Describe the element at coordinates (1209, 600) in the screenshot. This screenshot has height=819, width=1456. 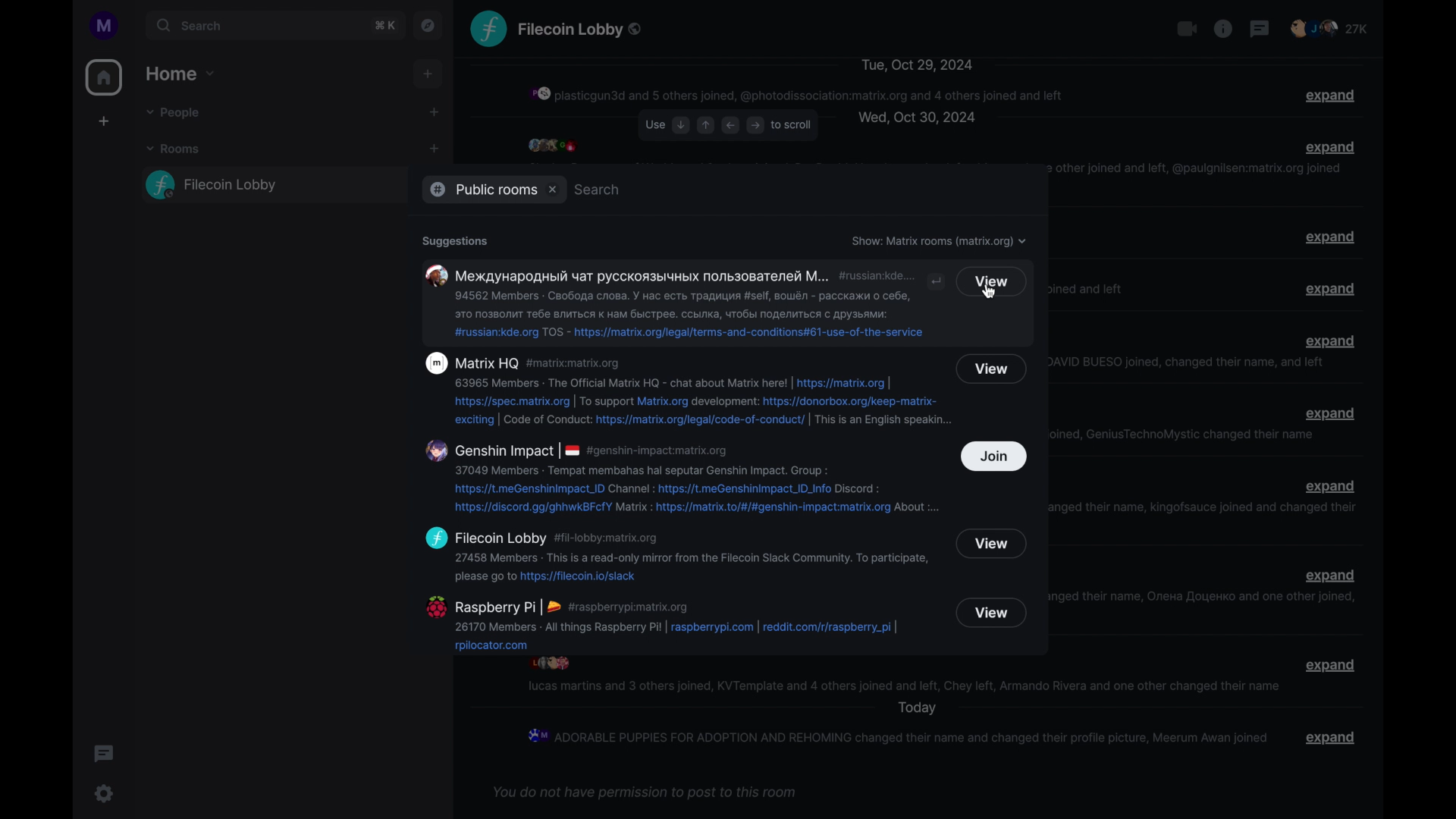
I see `McCleary and 8 others joined and left, @lisrocks:matrix.org joined and joined and left, Chey changed their name, Oneta [loyeko and one other joined,
xylophonium left` at that location.